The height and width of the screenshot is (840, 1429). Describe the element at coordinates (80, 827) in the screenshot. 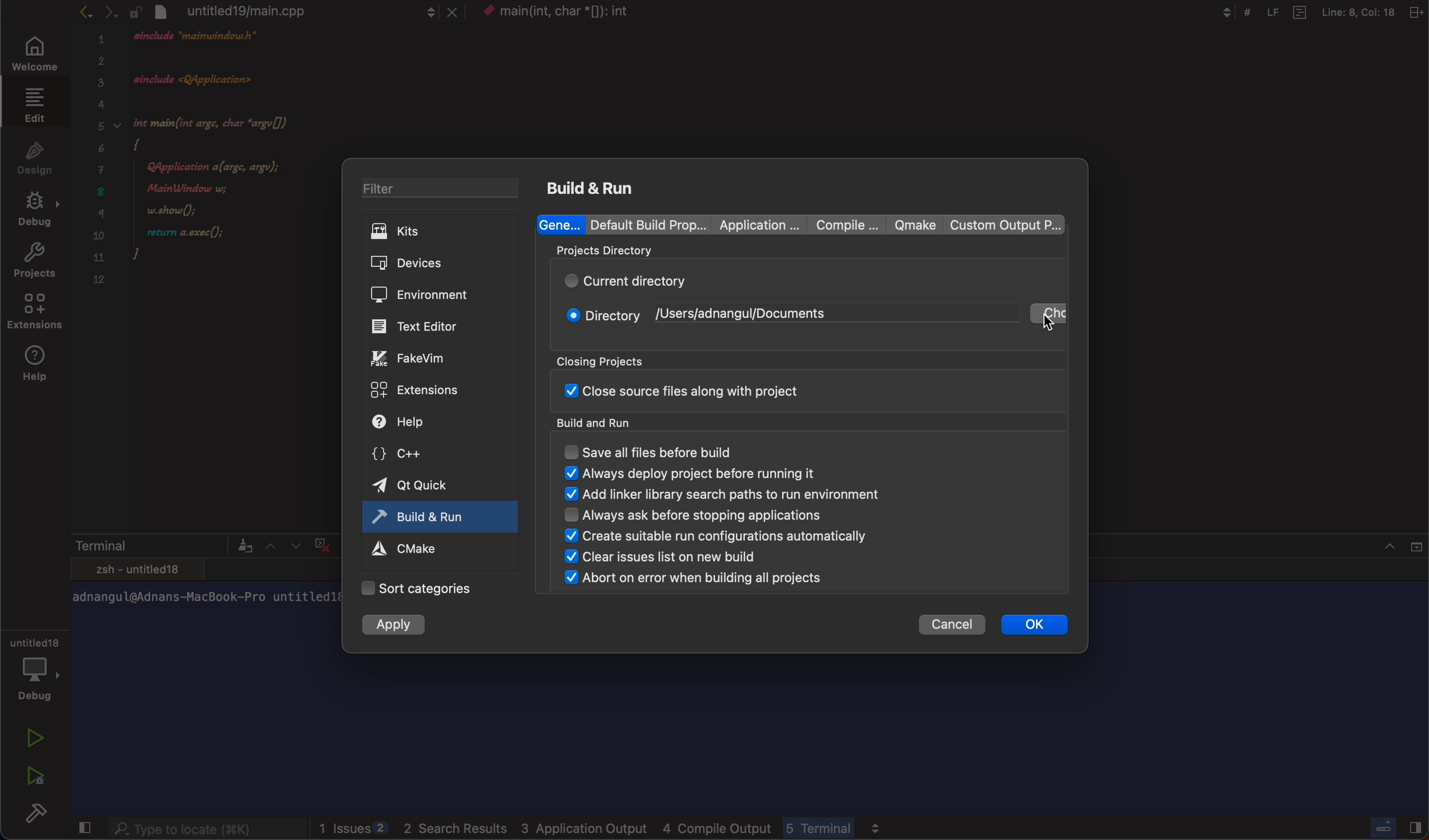

I see `close slidebar` at that location.